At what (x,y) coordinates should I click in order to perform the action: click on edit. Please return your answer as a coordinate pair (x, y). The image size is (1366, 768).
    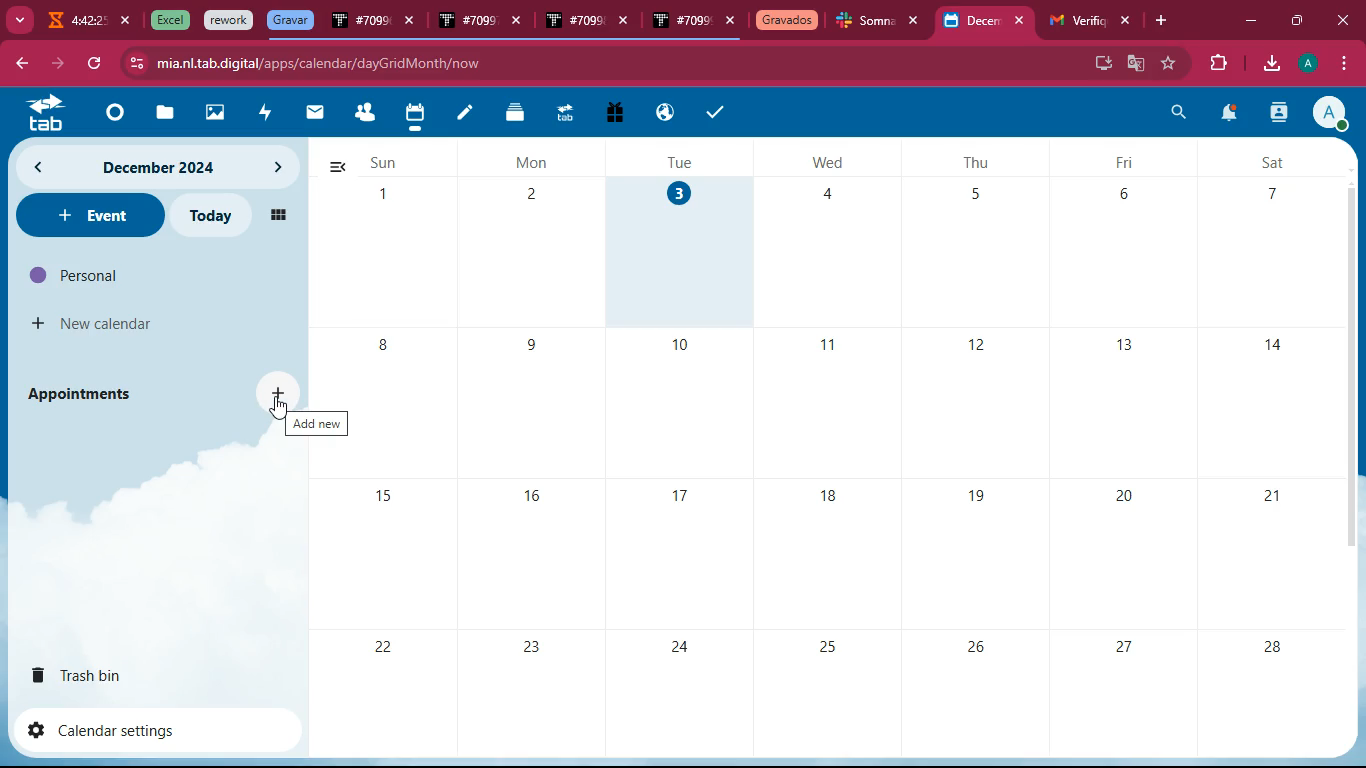
    Looking at the image, I should click on (465, 115).